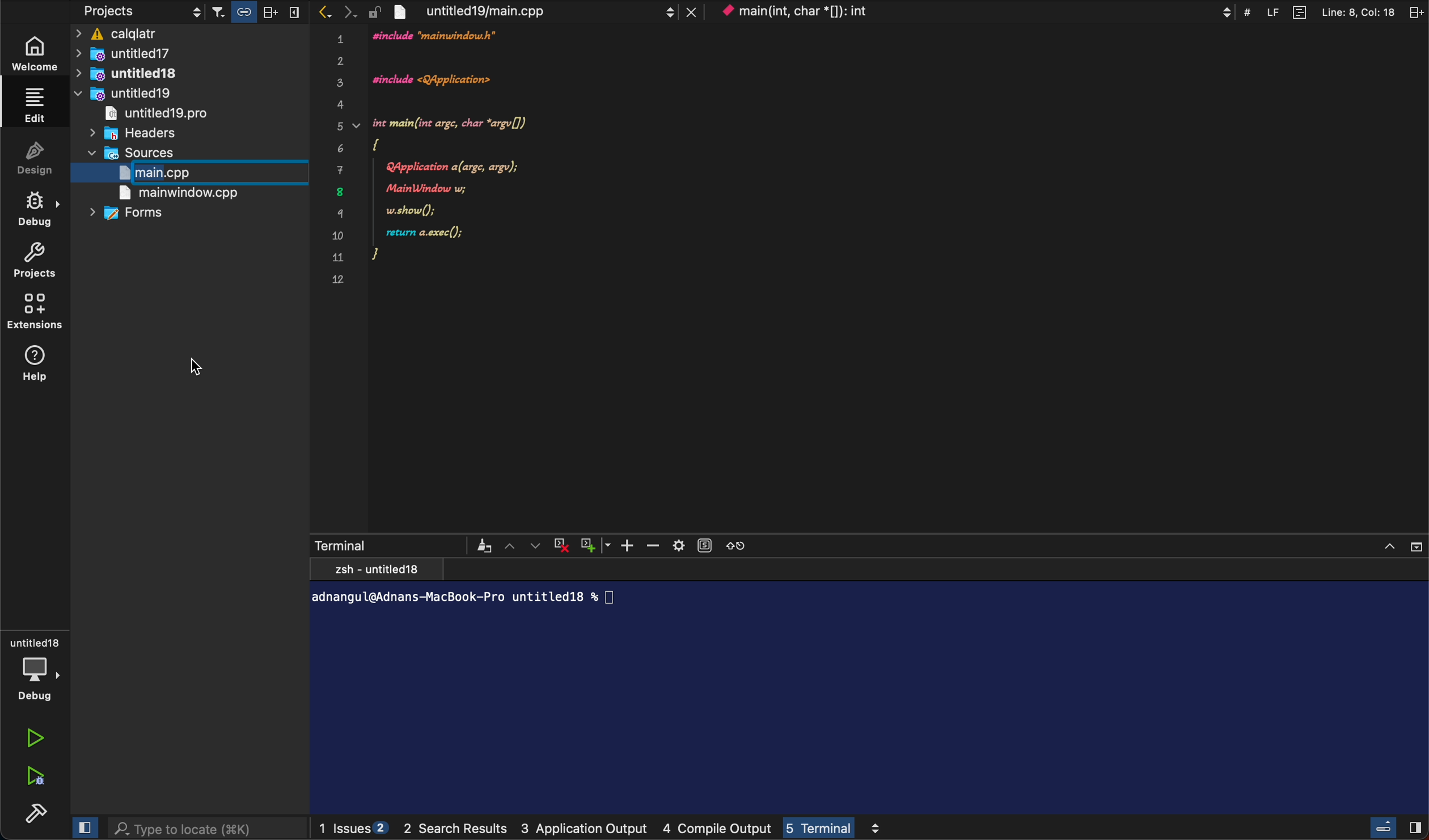 The image size is (1429, 840). I want to click on Brush, so click(484, 545).